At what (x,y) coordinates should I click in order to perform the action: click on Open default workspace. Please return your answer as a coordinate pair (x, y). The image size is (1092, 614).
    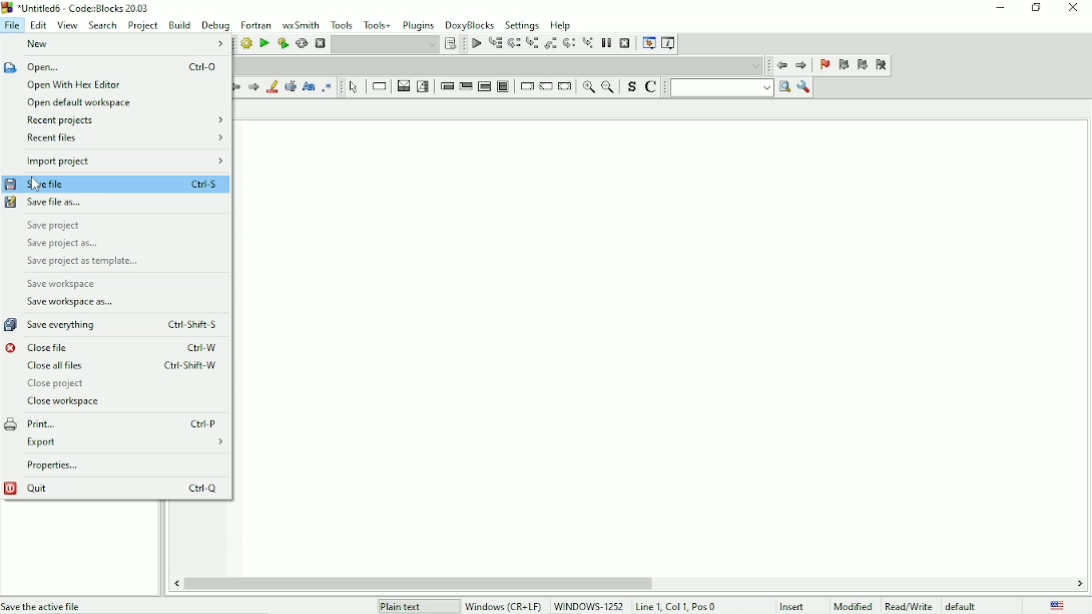
    Looking at the image, I should click on (83, 103).